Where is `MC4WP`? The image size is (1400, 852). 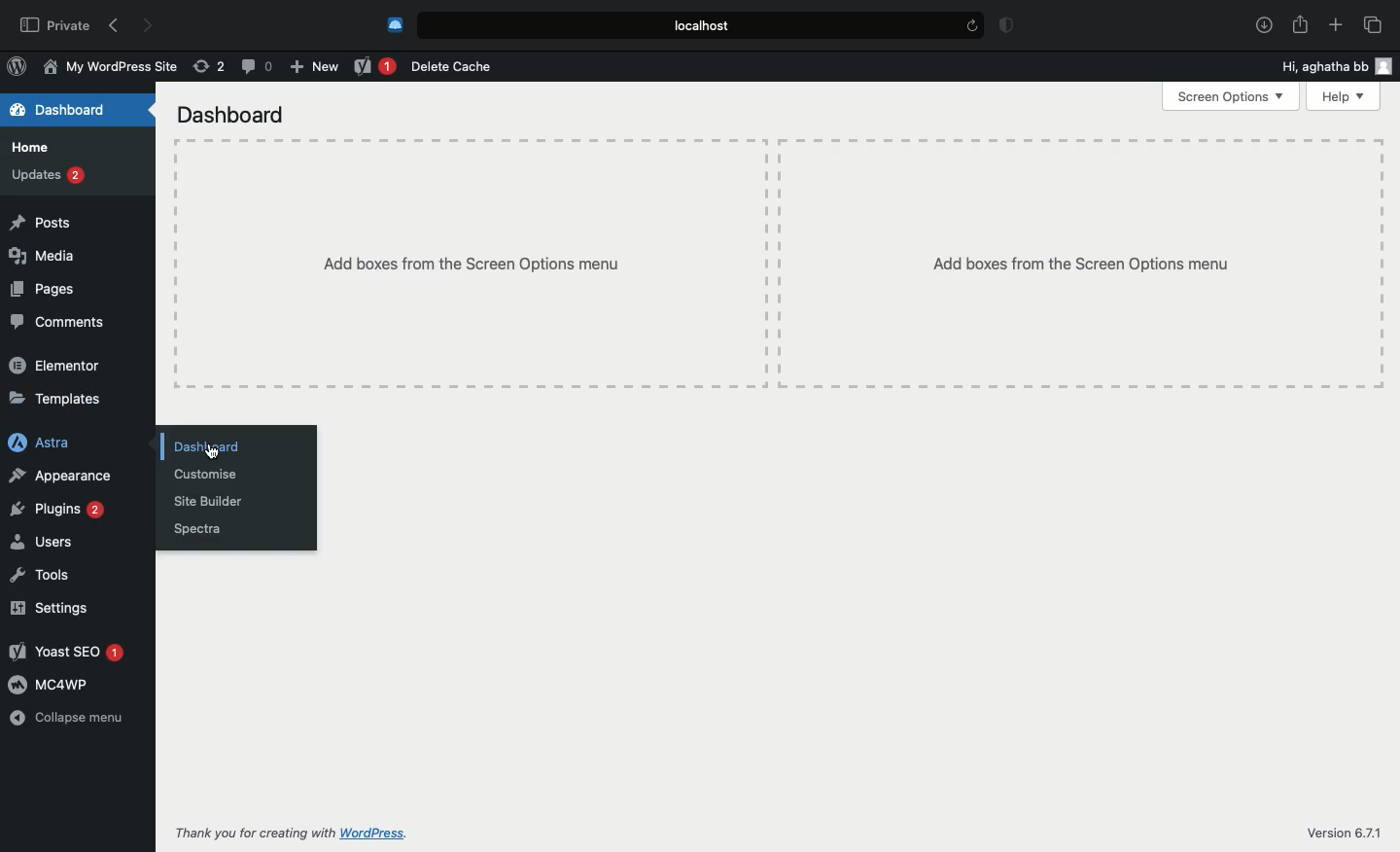 MC4WP is located at coordinates (55, 683).